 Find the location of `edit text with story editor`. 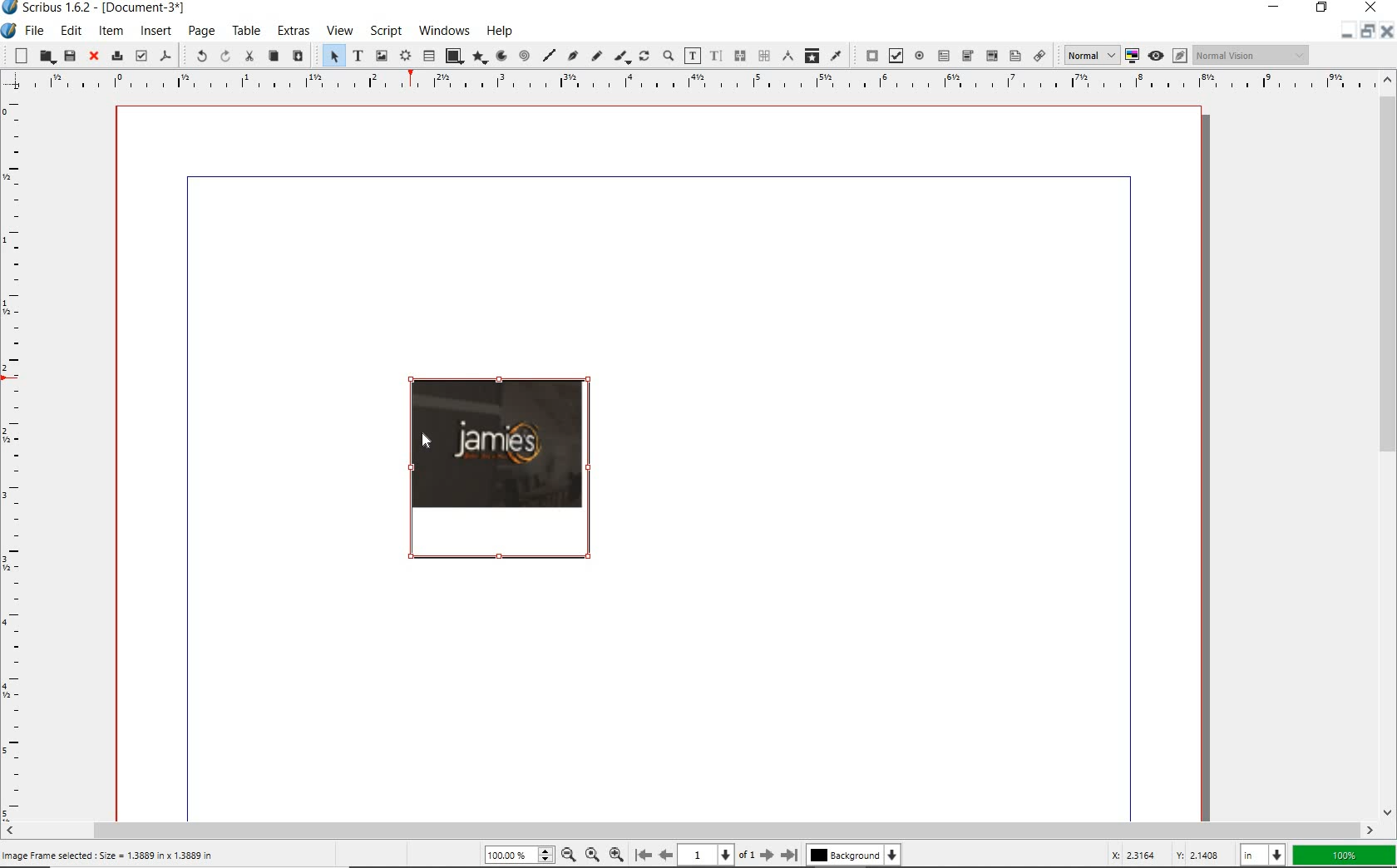

edit text with story editor is located at coordinates (714, 55).